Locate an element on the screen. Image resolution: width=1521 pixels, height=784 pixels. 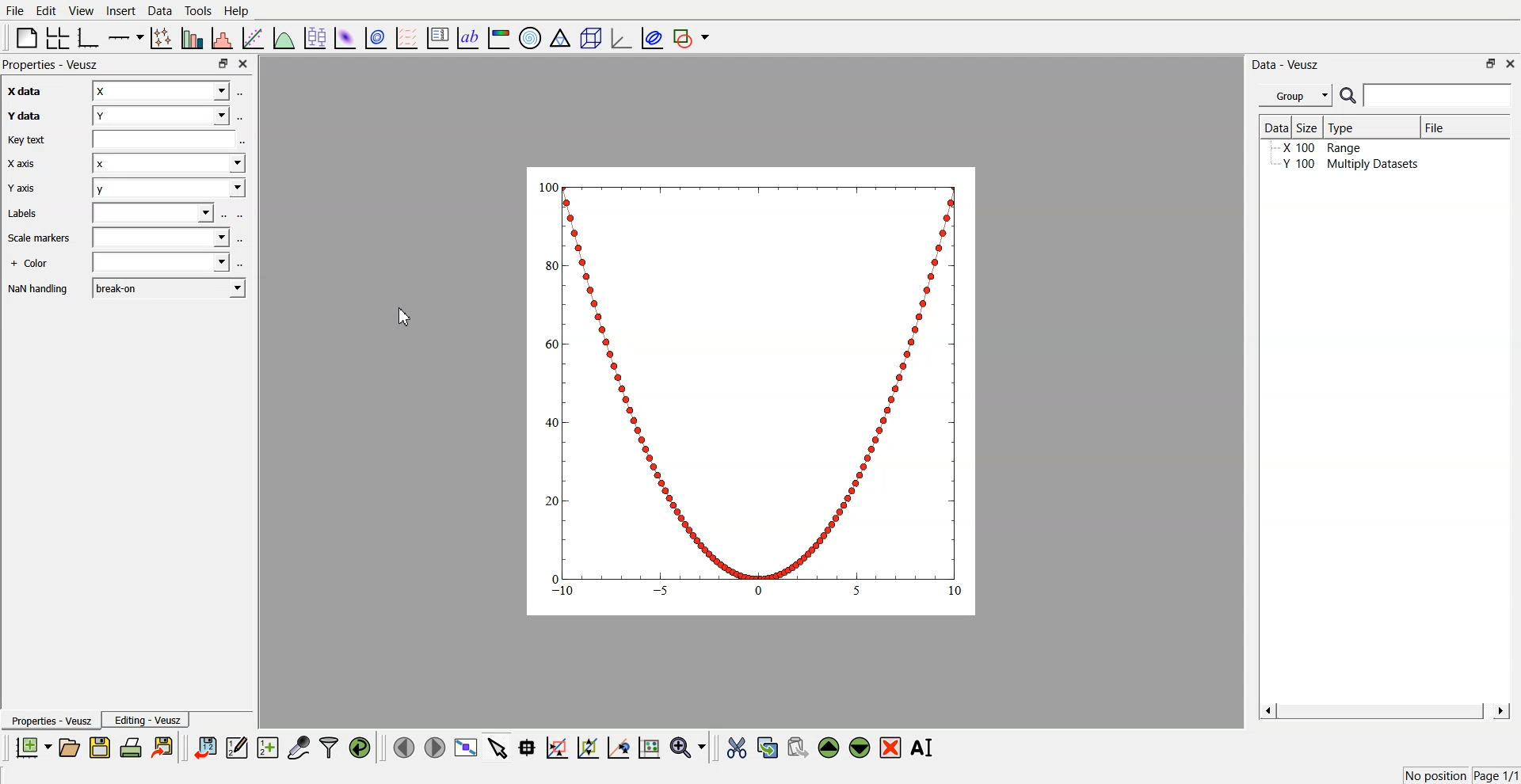
cursor is located at coordinates (398, 315).